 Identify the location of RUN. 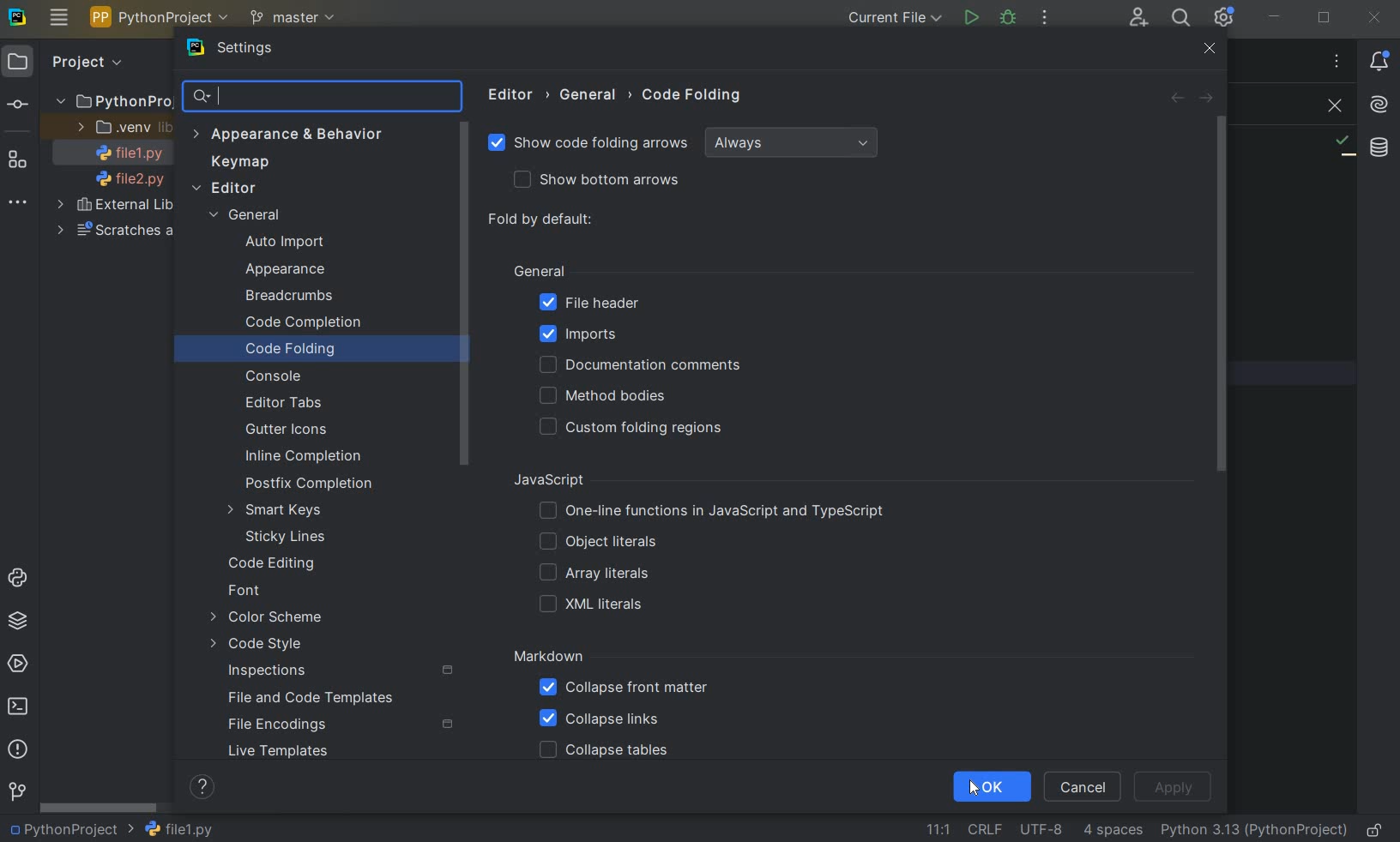
(970, 17).